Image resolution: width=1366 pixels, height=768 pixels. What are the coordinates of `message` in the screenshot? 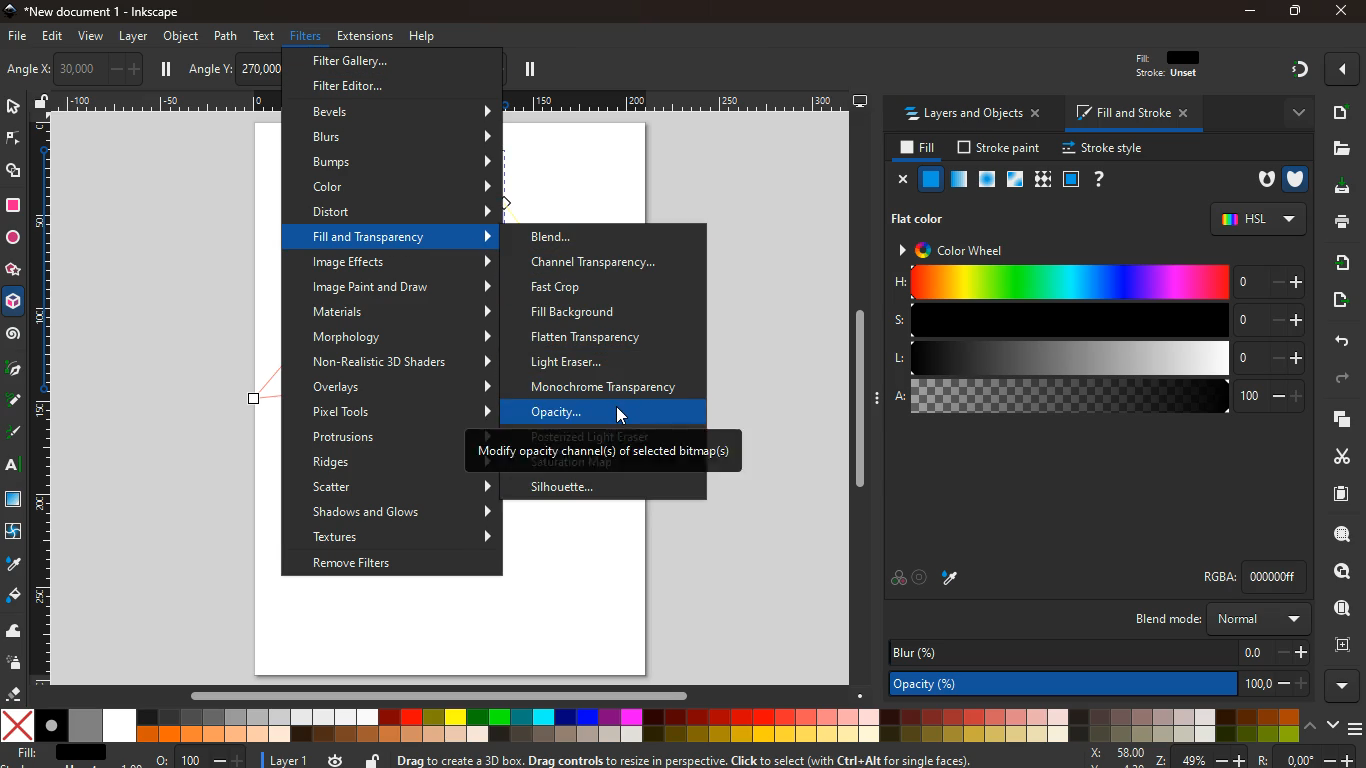 It's located at (705, 759).